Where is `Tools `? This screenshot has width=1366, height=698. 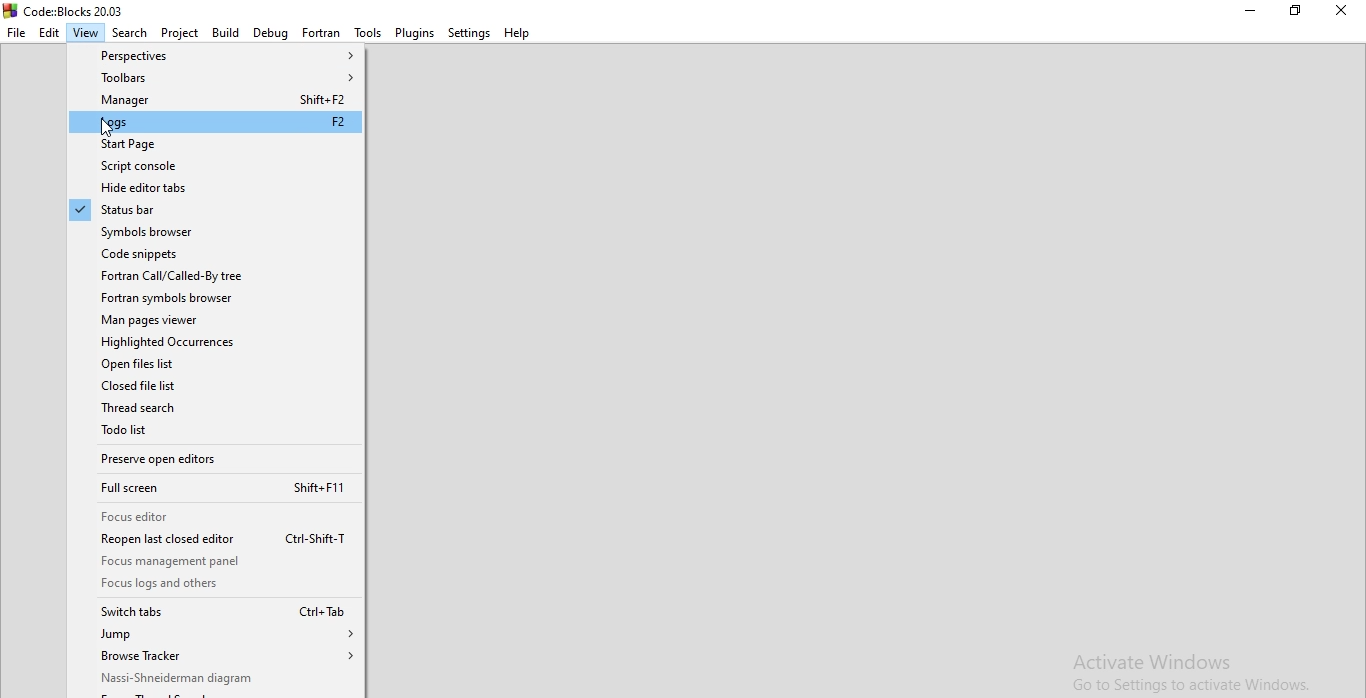 Tools  is located at coordinates (367, 32).